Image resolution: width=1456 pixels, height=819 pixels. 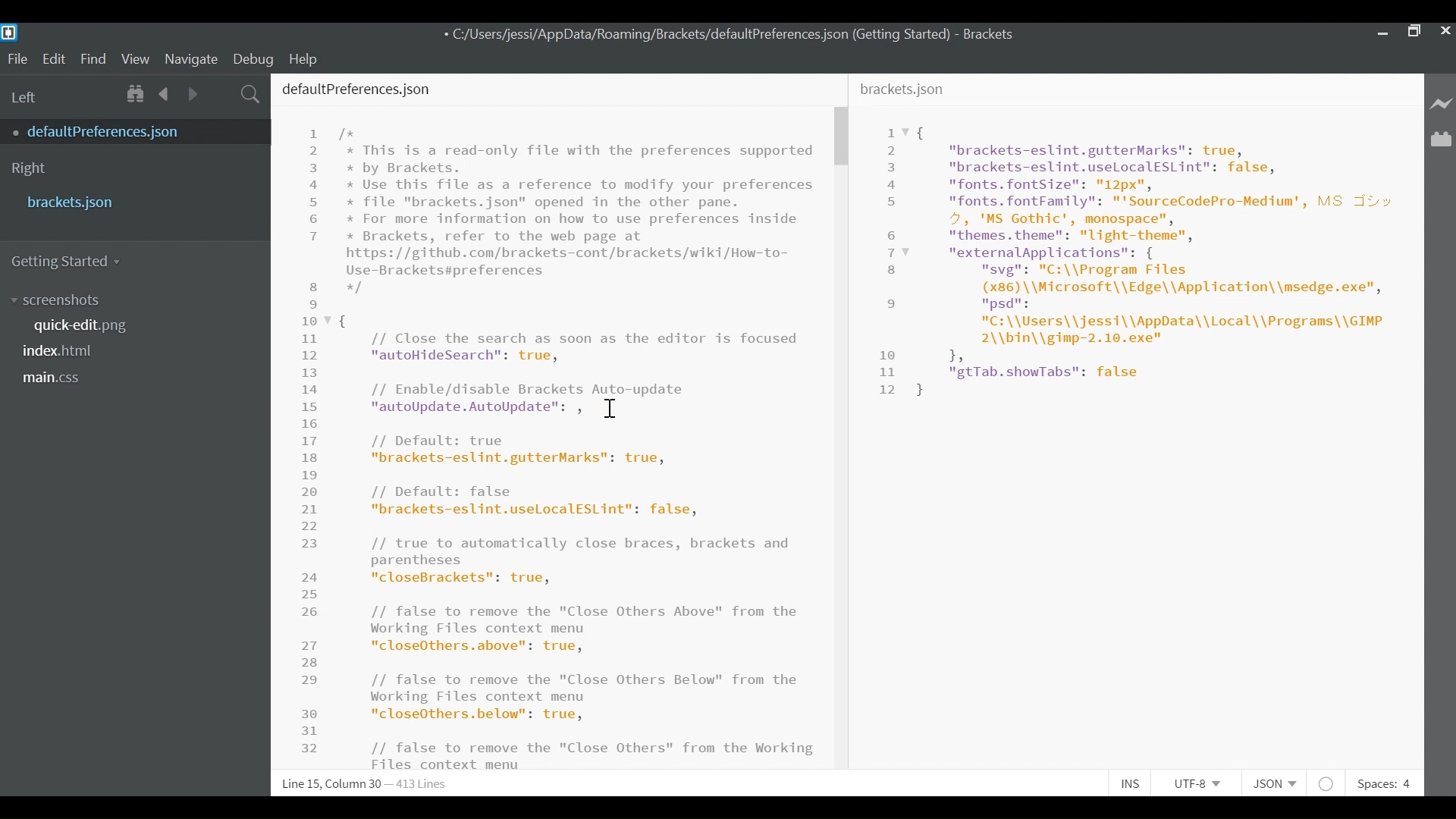 What do you see at coordinates (89, 325) in the screenshot?
I see `quickedit.png` at bounding box center [89, 325].